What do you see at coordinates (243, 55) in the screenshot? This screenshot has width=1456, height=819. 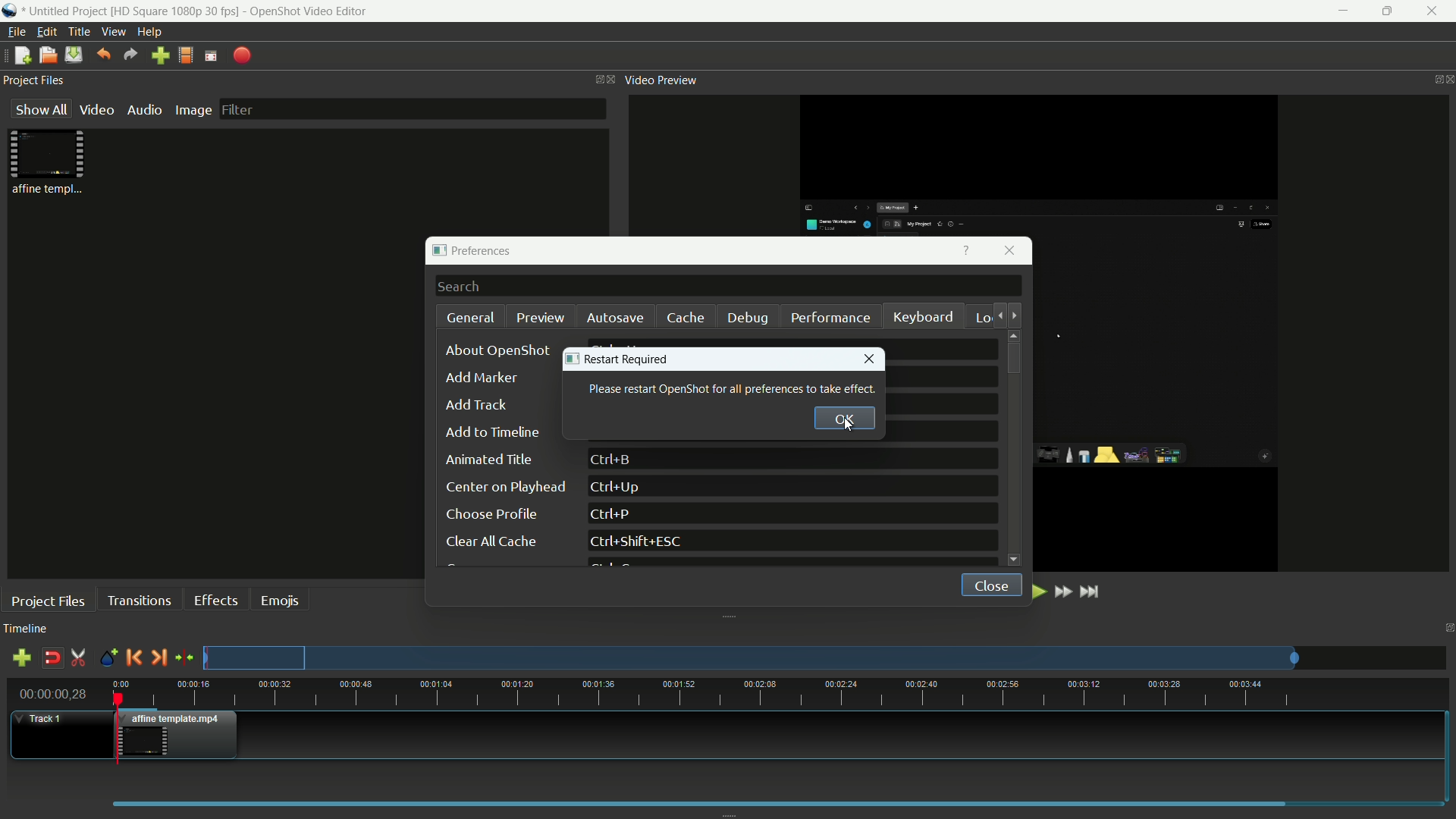 I see `export` at bounding box center [243, 55].